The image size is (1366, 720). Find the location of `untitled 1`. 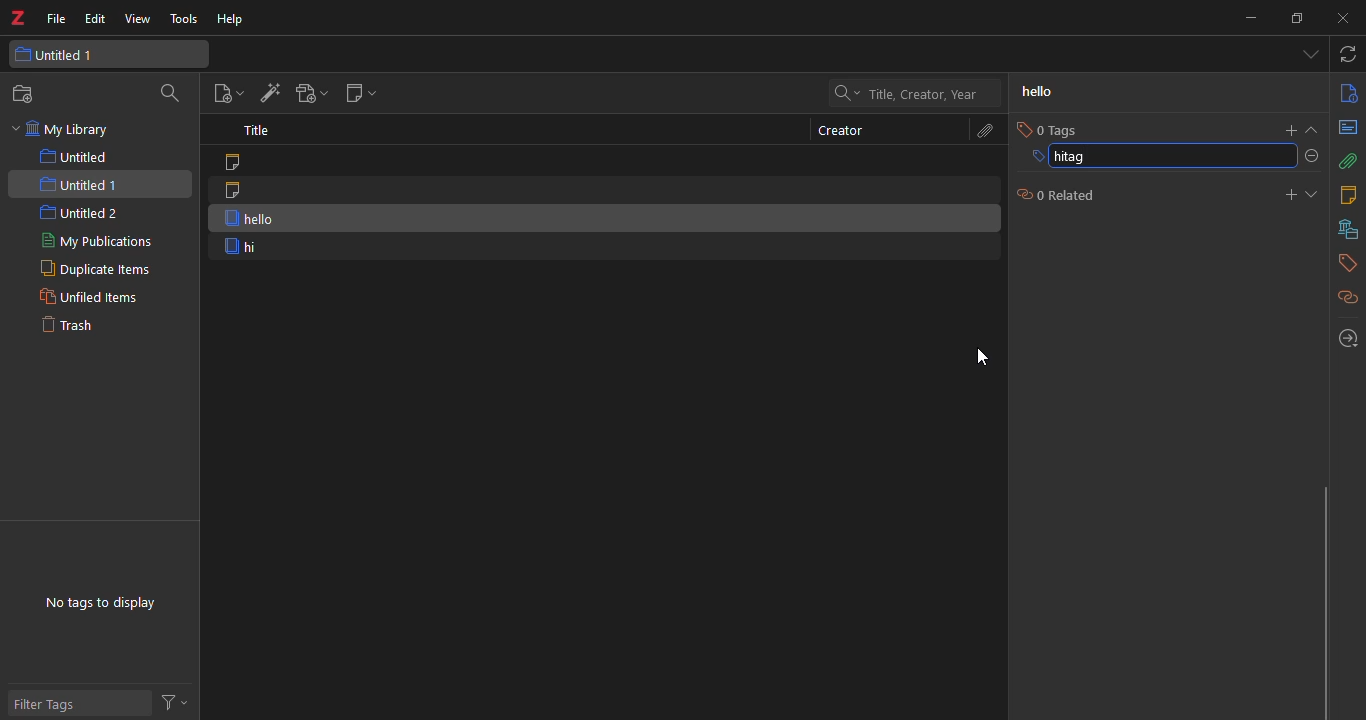

untitled 1 is located at coordinates (80, 183).